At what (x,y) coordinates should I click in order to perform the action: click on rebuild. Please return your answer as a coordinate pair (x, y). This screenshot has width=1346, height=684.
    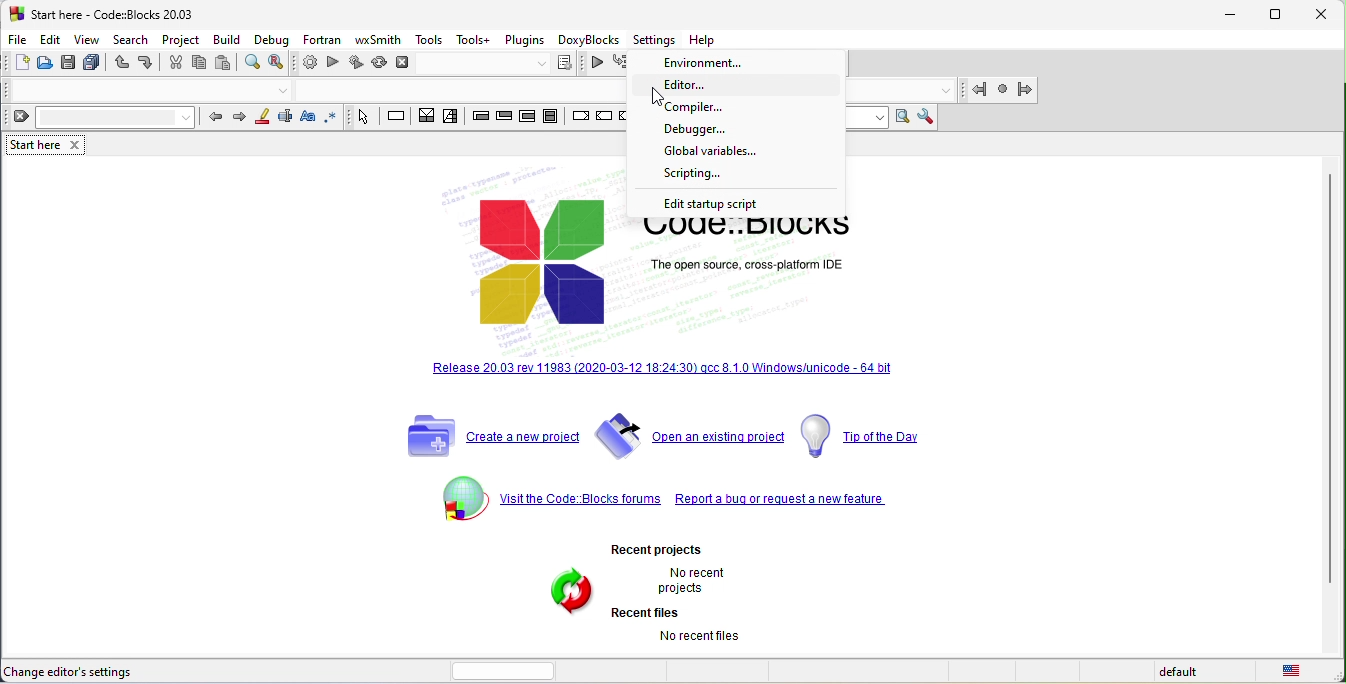
    Looking at the image, I should click on (381, 62).